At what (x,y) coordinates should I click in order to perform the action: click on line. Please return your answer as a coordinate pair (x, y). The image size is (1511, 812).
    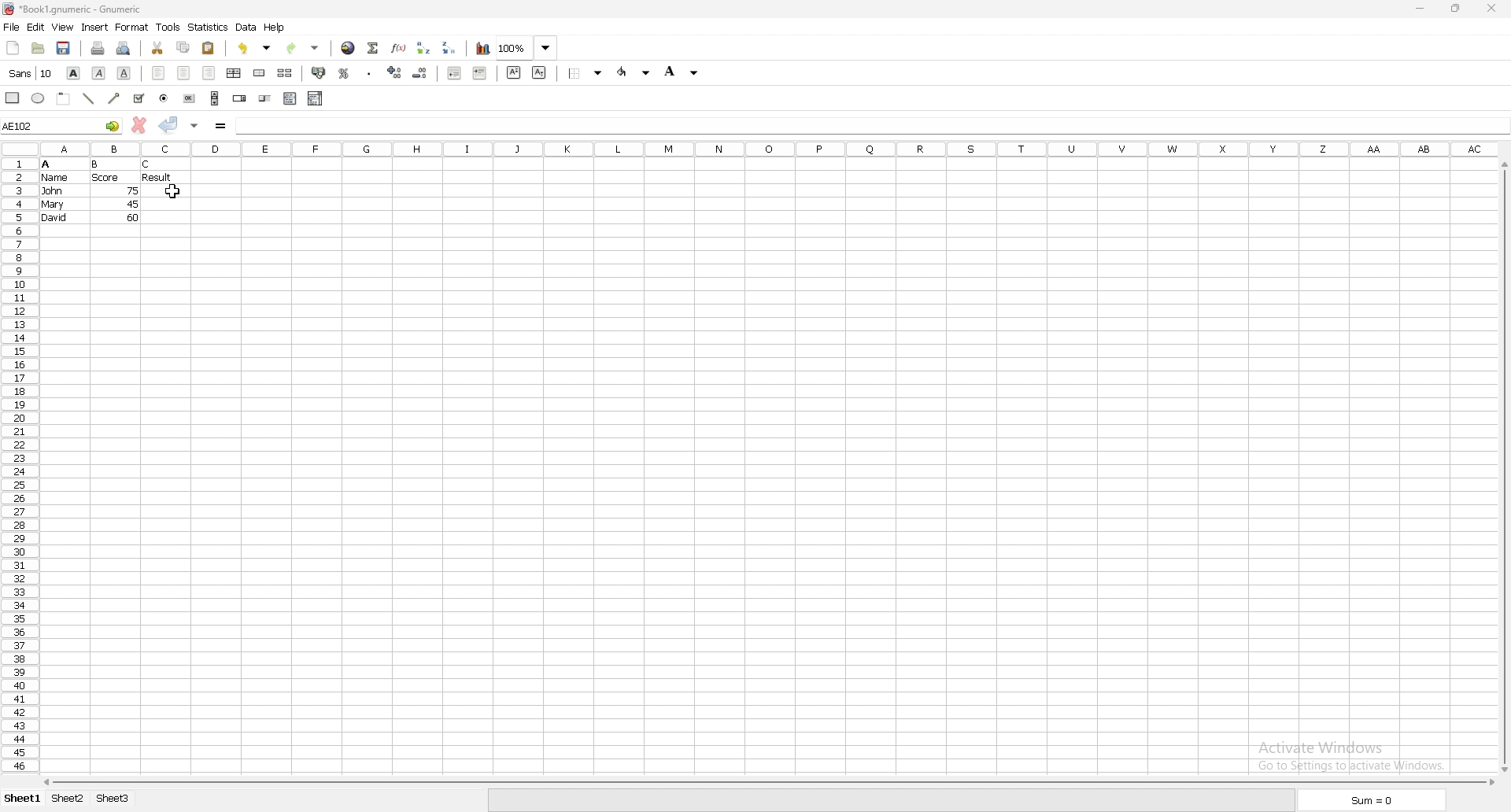
    Looking at the image, I should click on (88, 98).